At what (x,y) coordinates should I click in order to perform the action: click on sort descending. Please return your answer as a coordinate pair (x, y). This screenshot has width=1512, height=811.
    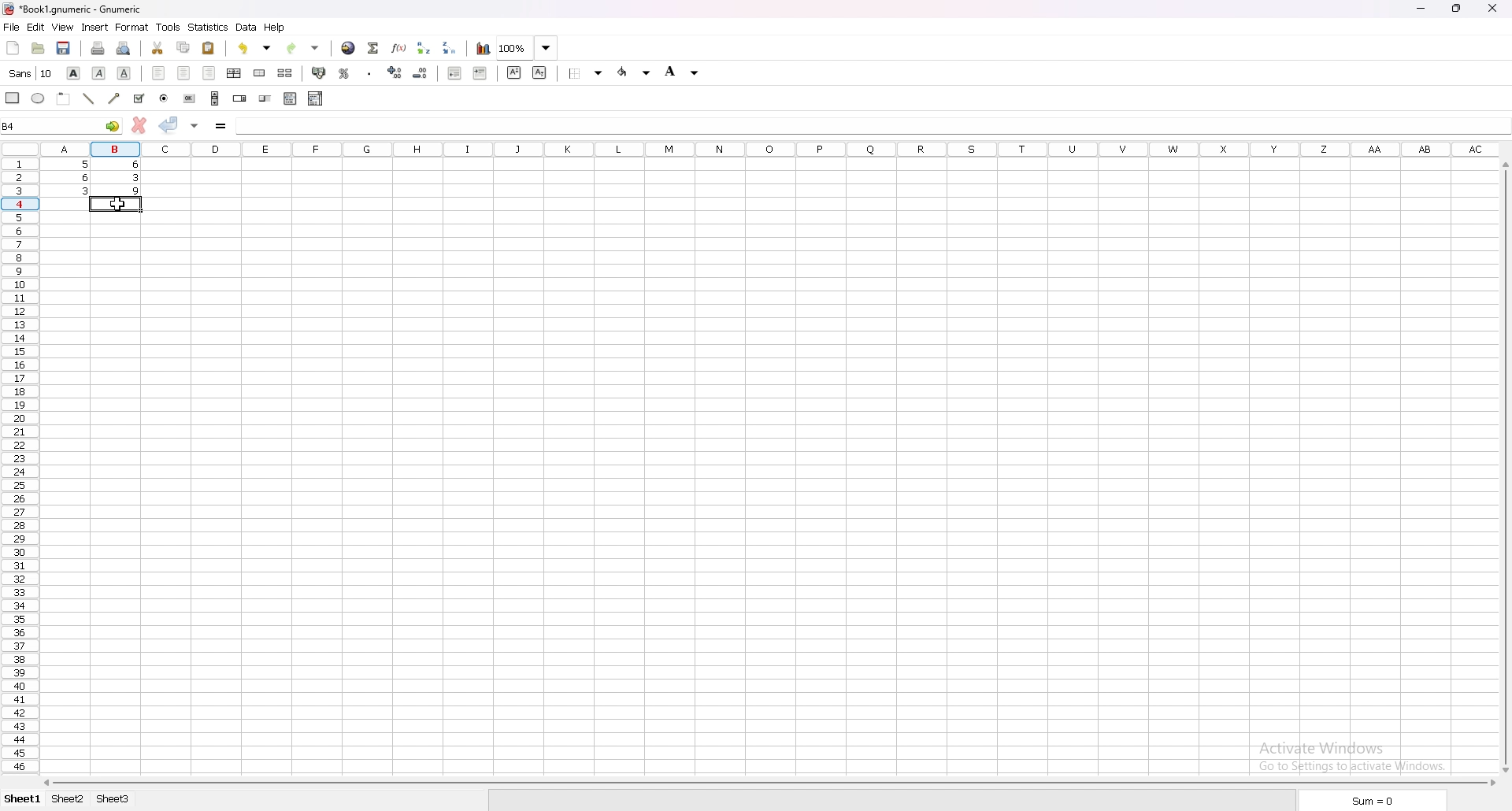
    Looking at the image, I should click on (450, 47).